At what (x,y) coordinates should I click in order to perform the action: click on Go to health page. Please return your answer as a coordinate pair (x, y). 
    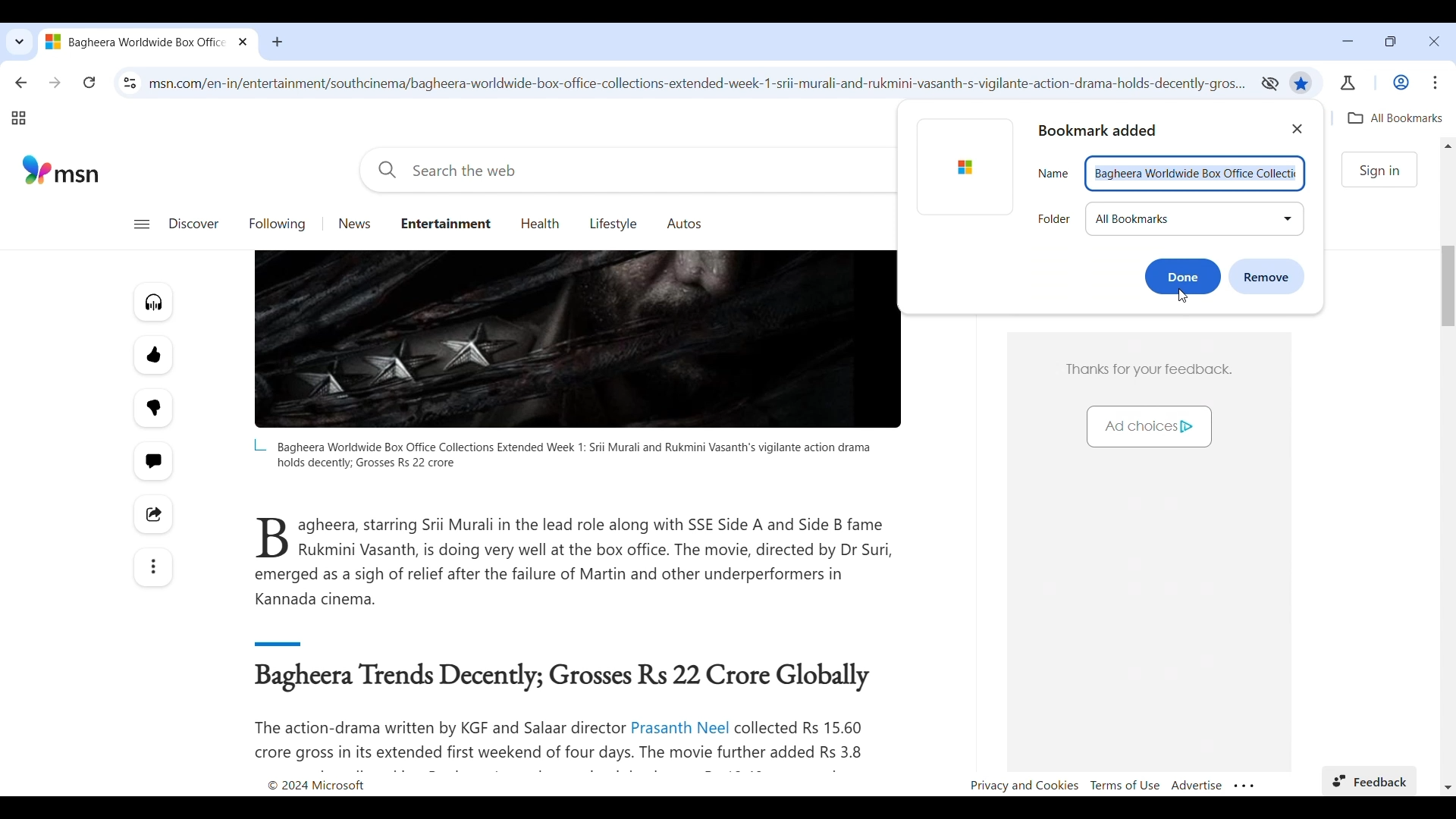
    Looking at the image, I should click on (541, 224).